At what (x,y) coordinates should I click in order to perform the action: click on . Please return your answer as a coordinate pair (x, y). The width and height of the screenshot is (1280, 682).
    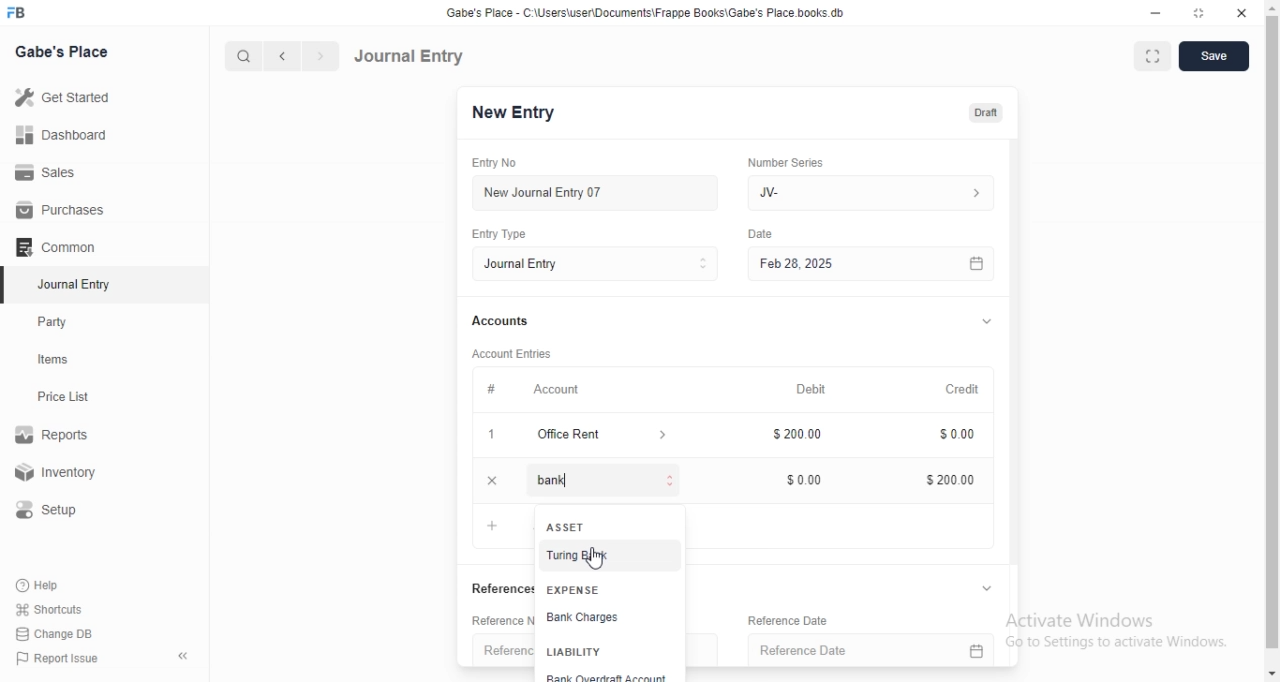
    Looking at the image, I should click on (806, 481).